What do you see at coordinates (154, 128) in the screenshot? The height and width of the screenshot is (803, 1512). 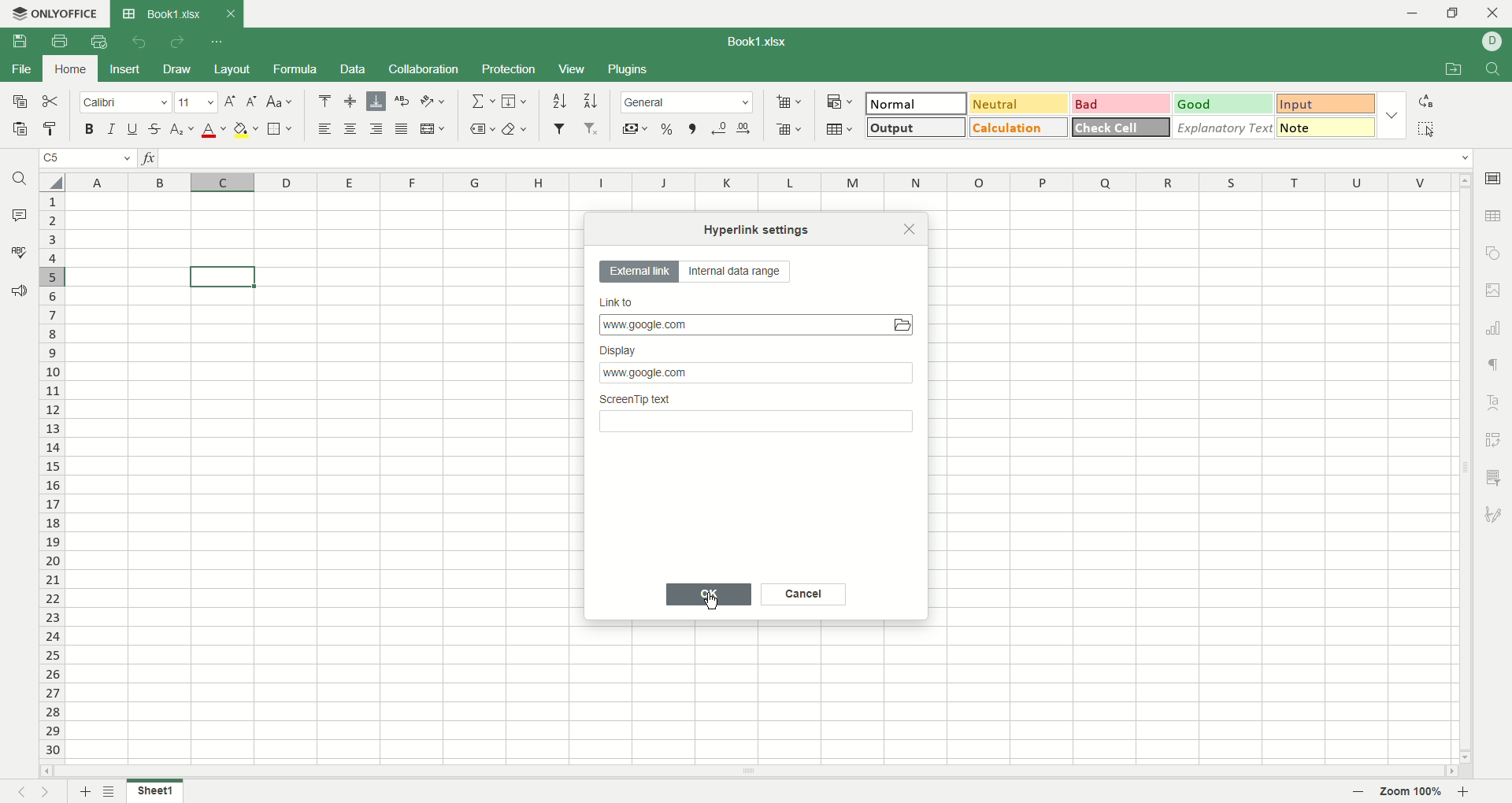 I see `strikethrough` at bounding box center [154, 128].